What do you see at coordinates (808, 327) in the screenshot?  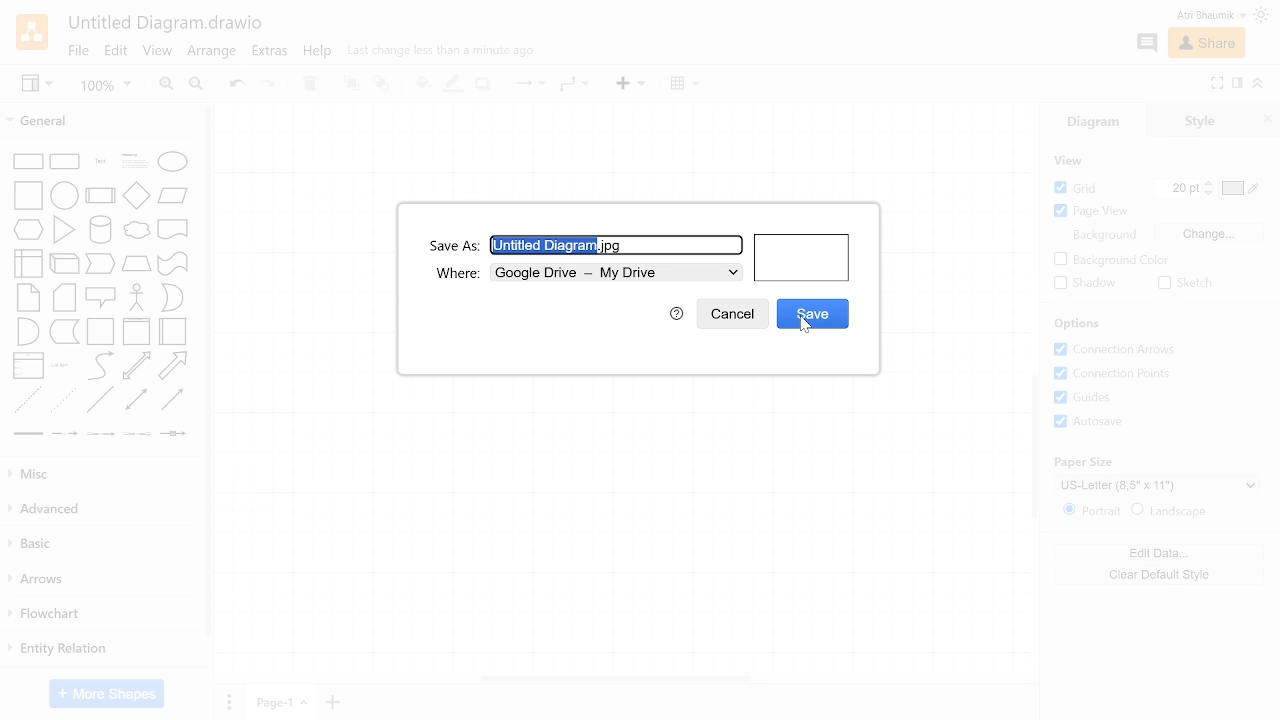 I see `cursor` at bounding box center [808, 327].